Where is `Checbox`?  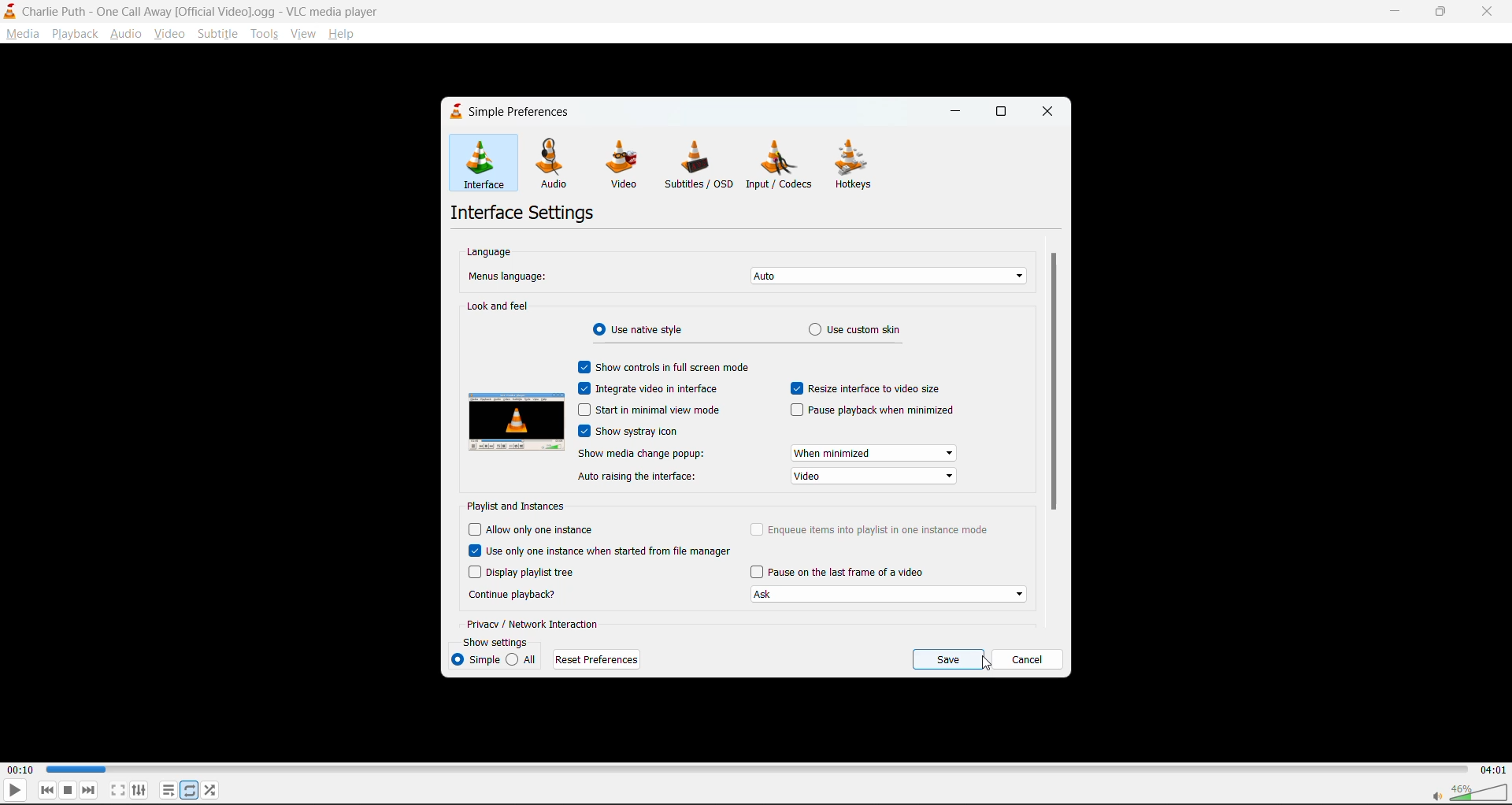
Checbox is located at coordinates (796, 410).